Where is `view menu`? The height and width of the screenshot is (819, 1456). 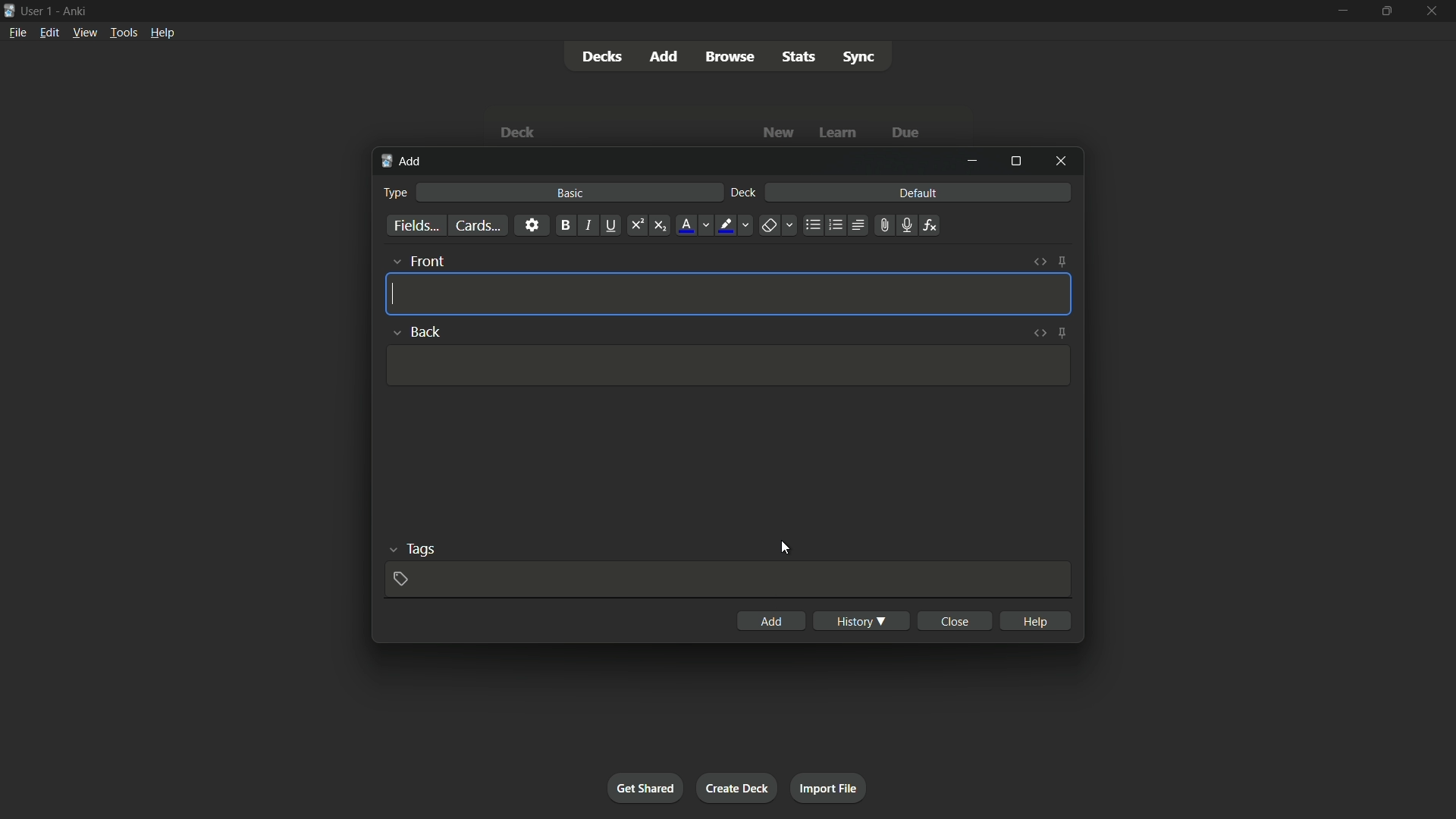 view menu is located at coordinates (84, 33).